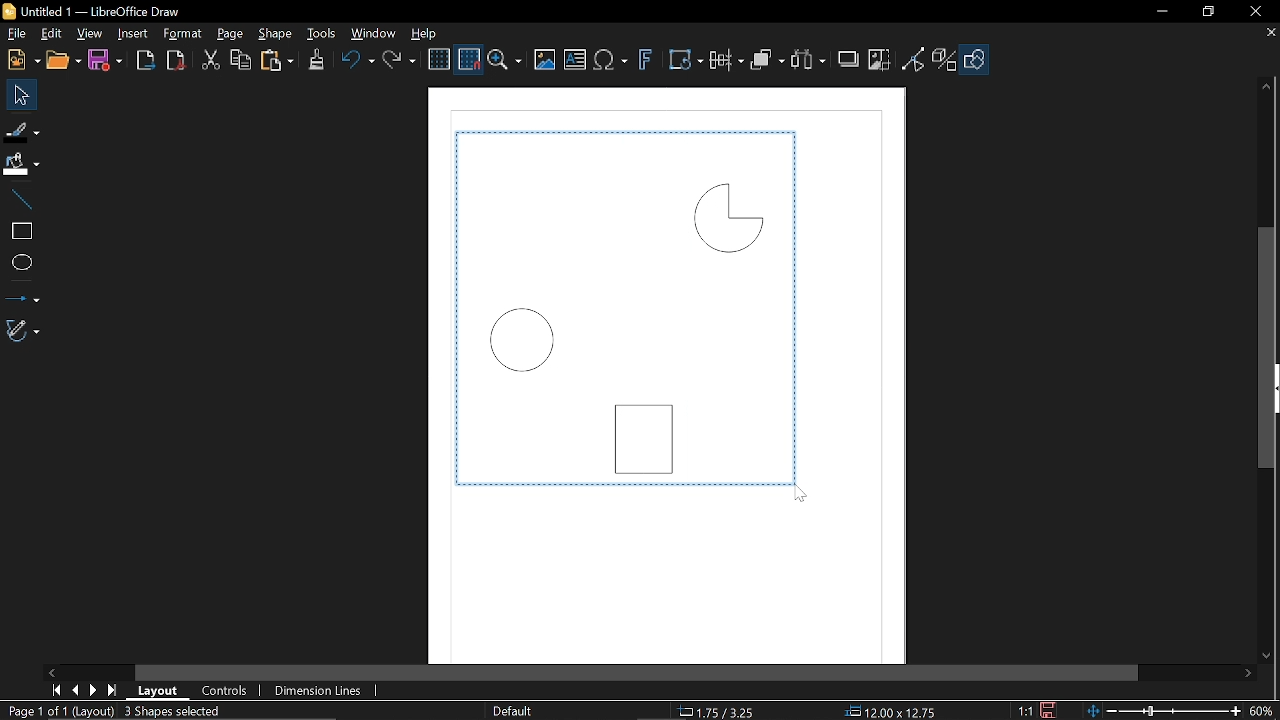 Image resolution: width=1280 pixels, height=720 pixels. What do you see at coordinates (22, 61) in the screenshot?
I see `New` at bounding box center [22, 61].